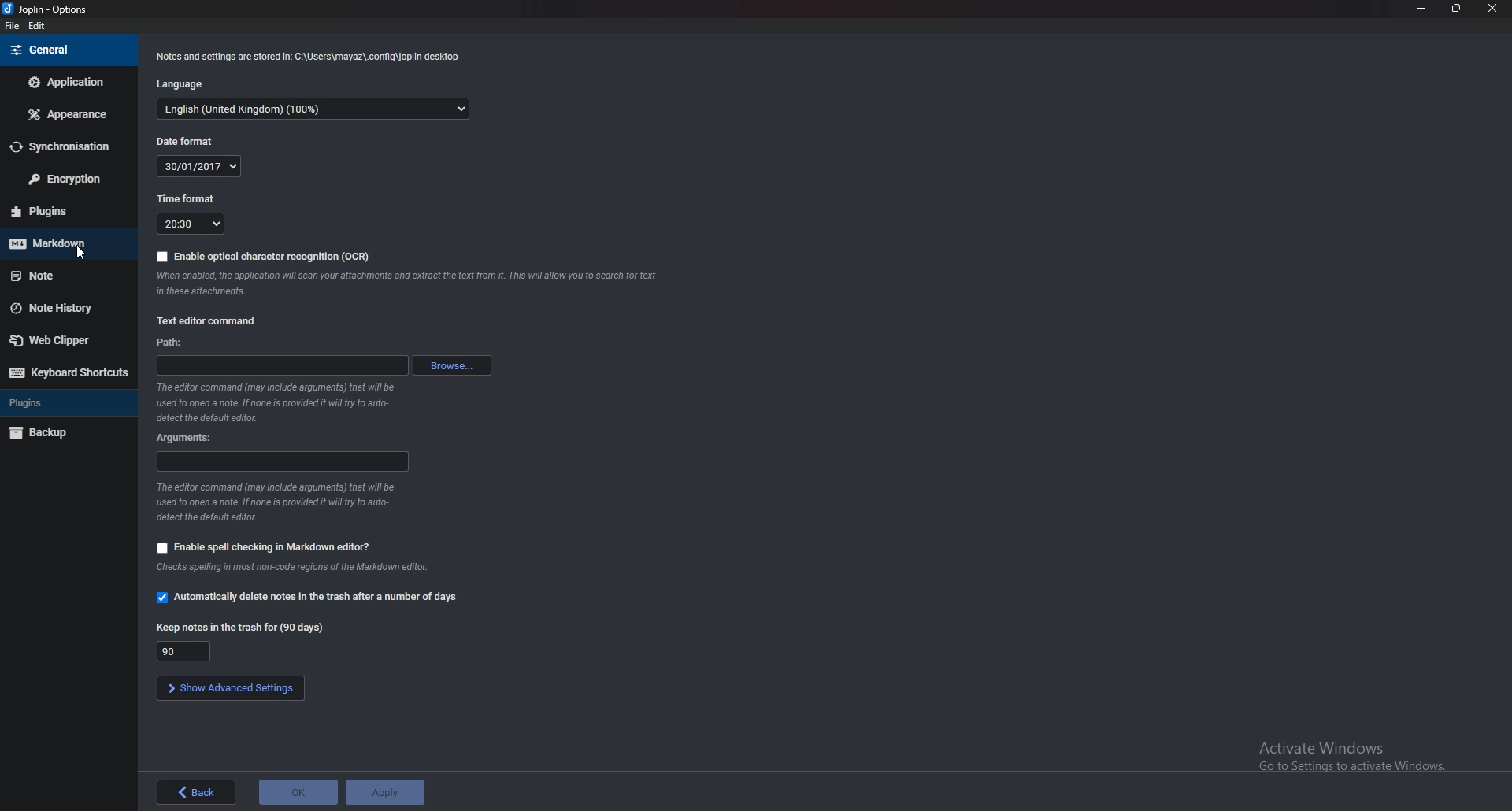 The width and height of the screenshot is (1512, 811). I want to click on path, so click(173, 342).